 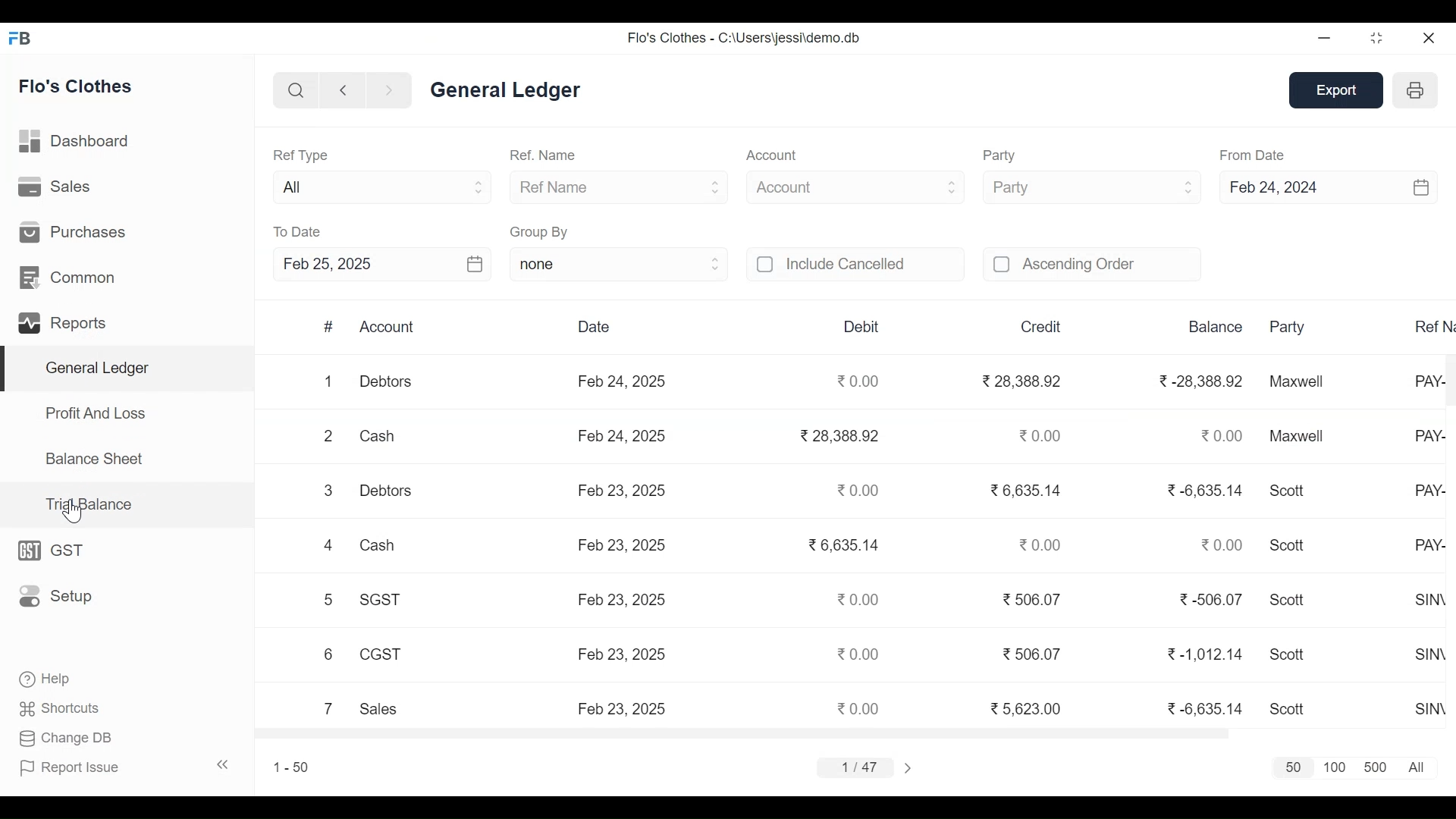 What do you see at coordinates (1340, 90) in the screenshot?
I see `Export` at bounding box center [1340, 90].